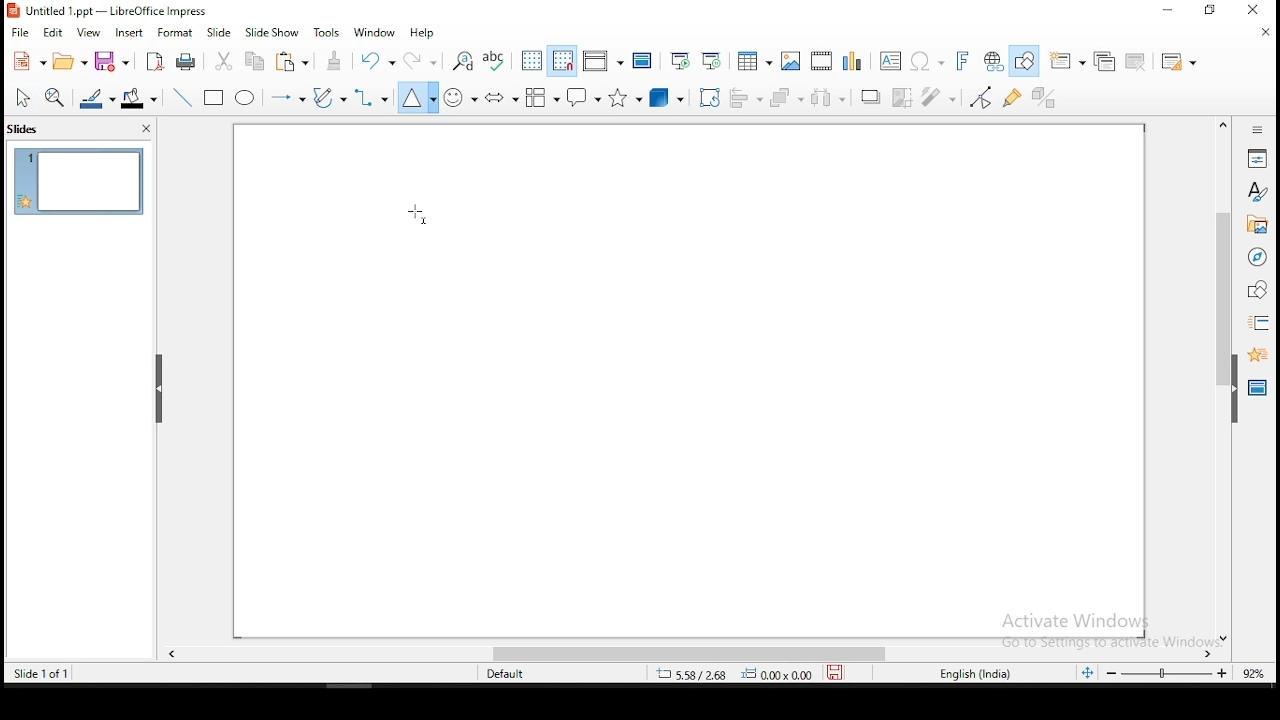 The height and width of the screenshot is (720, 1280). Describe the element at coordinates (296, 64) in the screenshot. I see `paste` at that location.